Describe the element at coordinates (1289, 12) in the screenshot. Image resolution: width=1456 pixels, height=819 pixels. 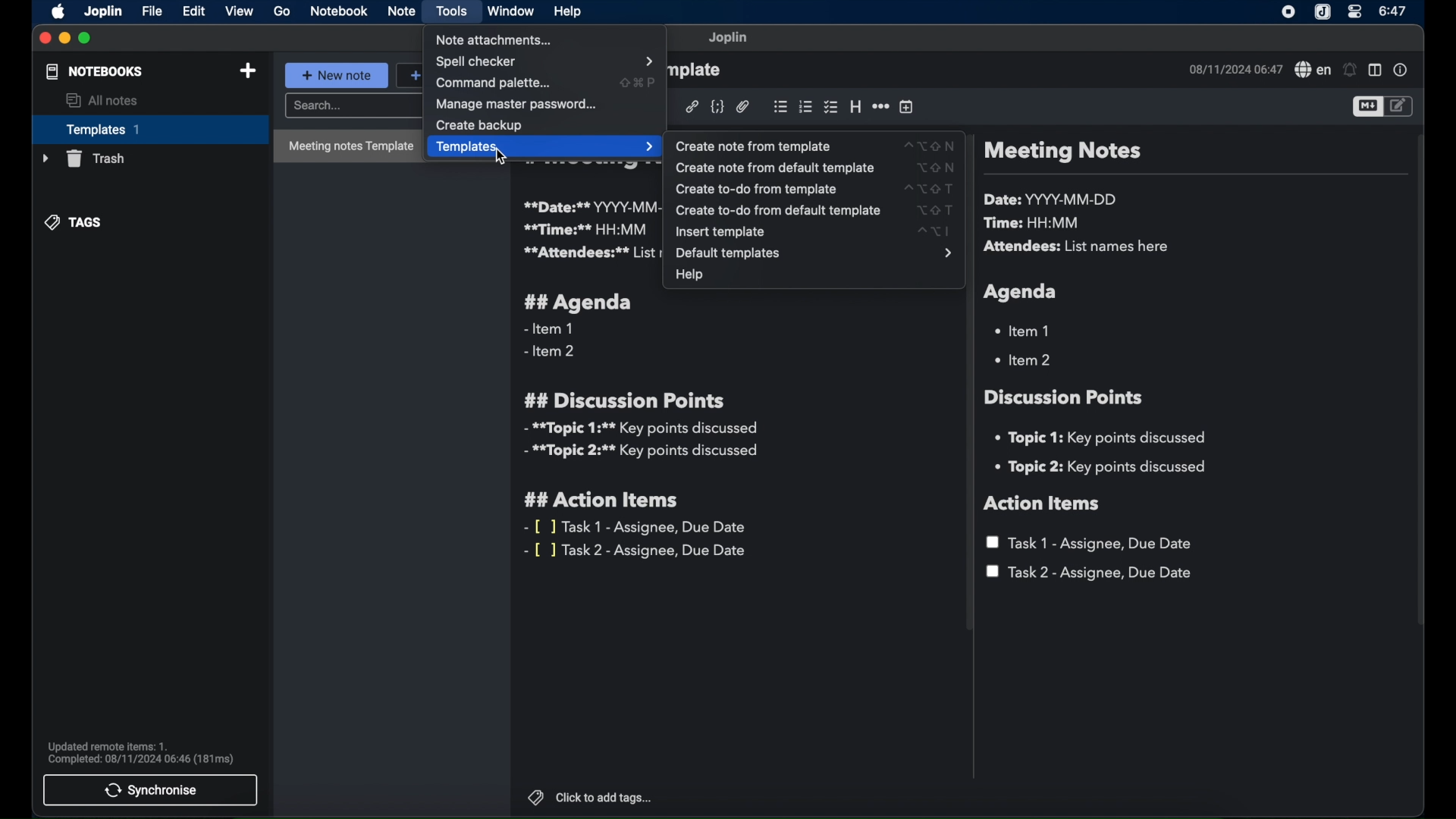
I see `screen recorder icon` at that location.